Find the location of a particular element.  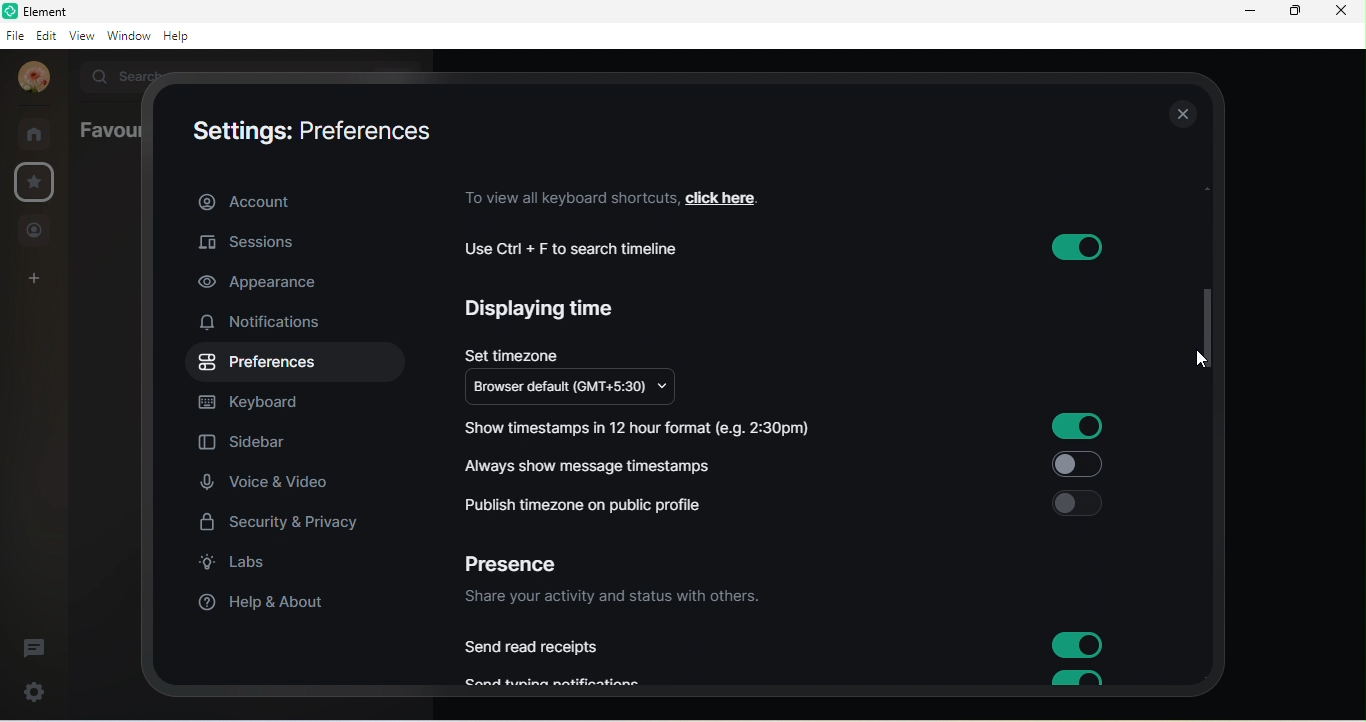

quick settings is located at coordinates (27, 692).